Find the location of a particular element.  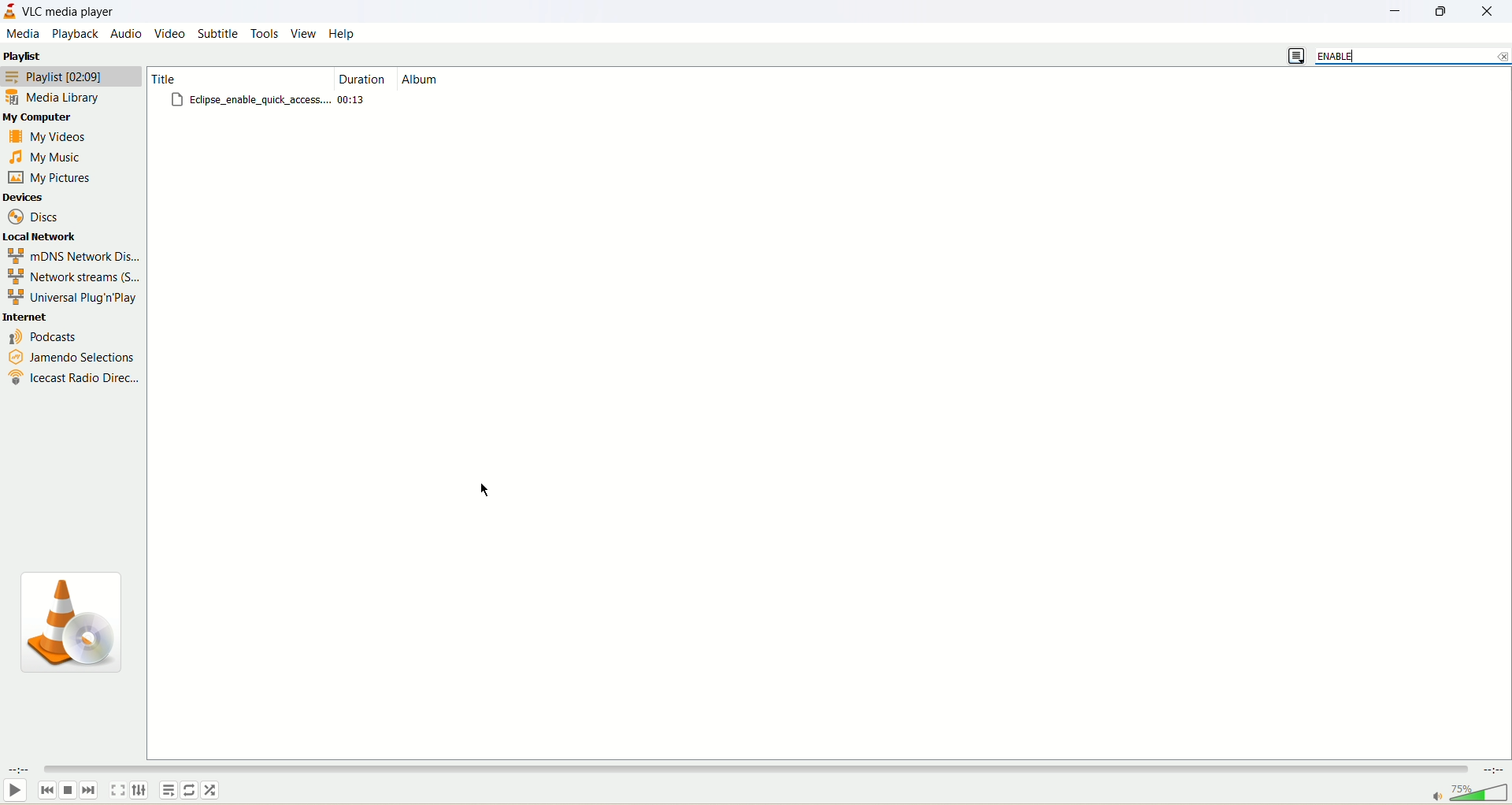

my videos is located at coordinates (48, 136).